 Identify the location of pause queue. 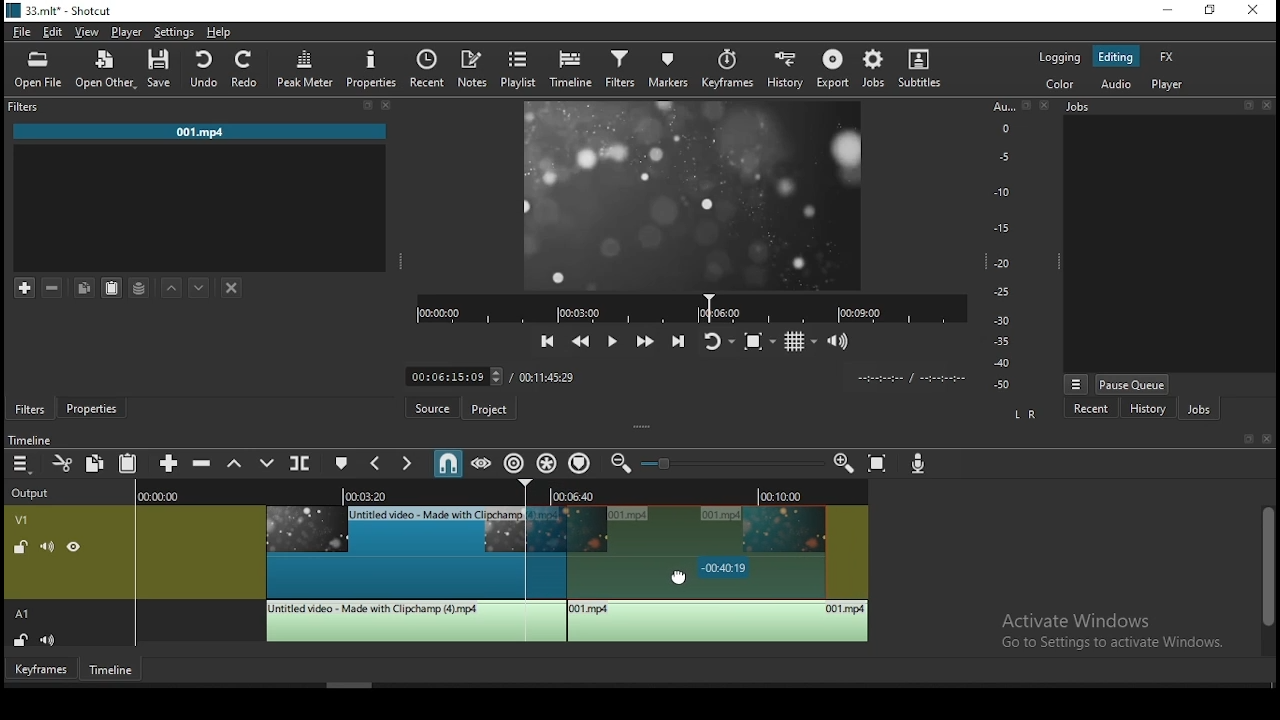
(1133, 385).